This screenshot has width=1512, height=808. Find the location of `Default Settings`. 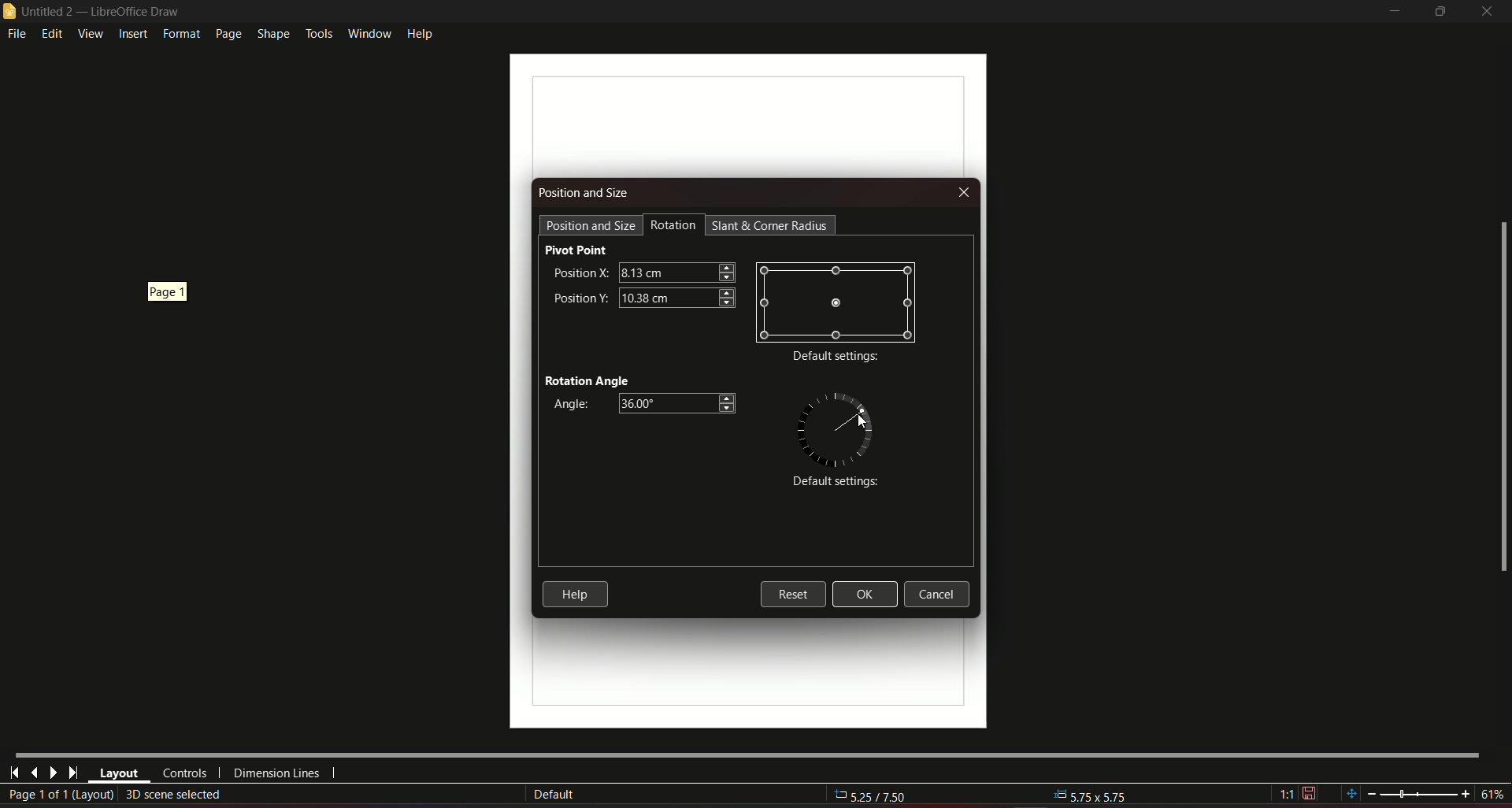

Default Settings is located at coordinates (832, 483).